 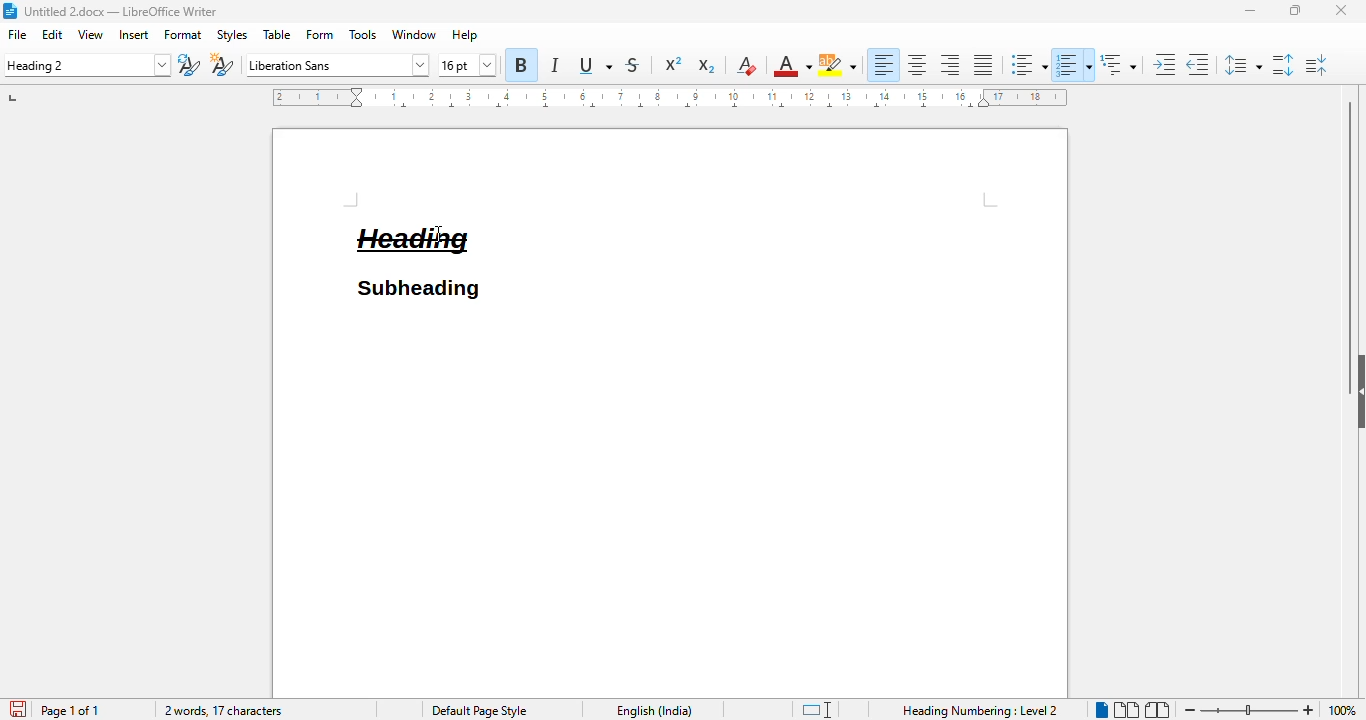 I want to click on Document, so click(x=671, y=500).